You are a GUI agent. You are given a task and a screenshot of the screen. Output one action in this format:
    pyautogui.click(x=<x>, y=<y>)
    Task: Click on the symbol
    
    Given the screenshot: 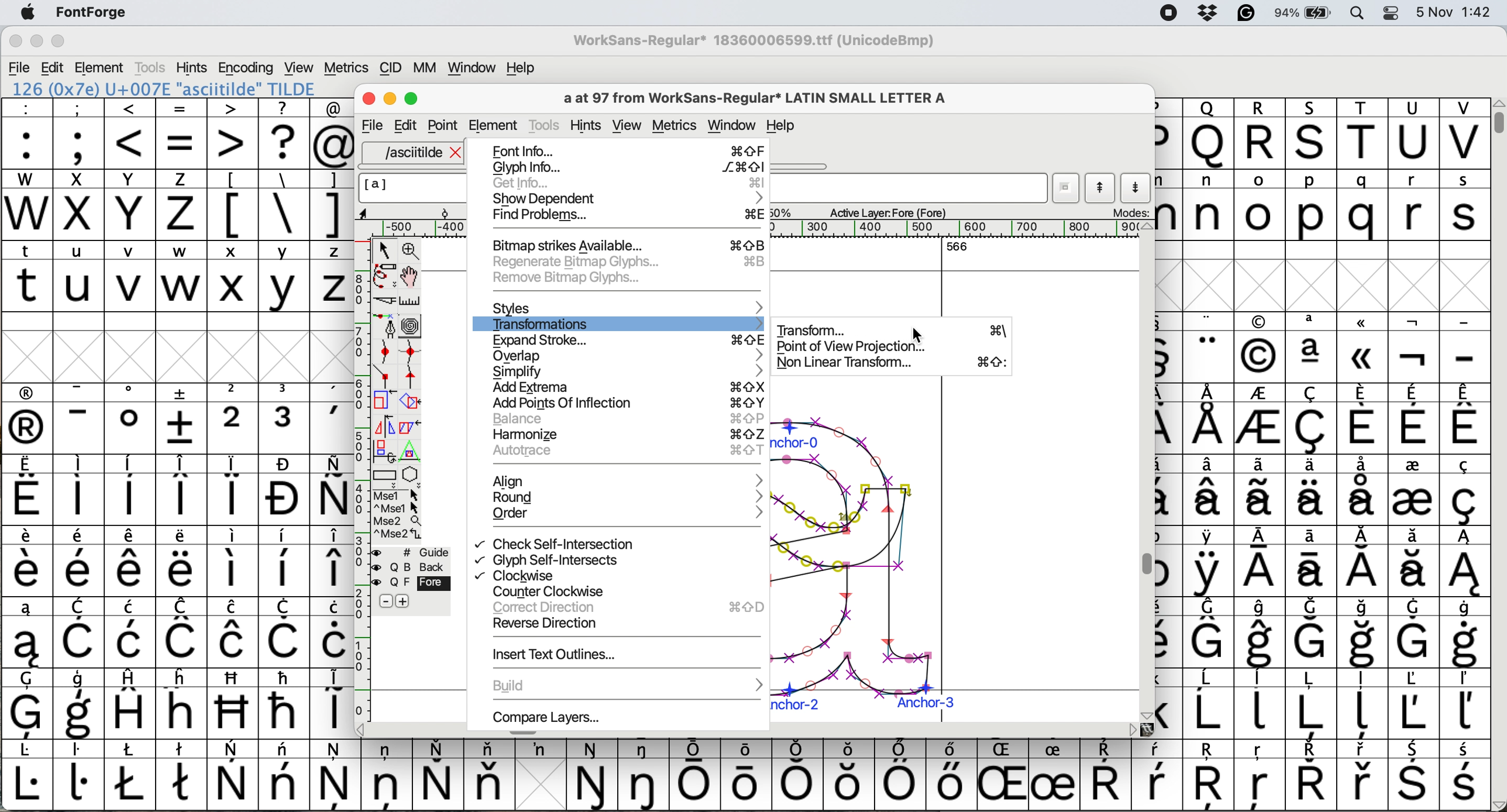 What is the action you would take?
    pyautogui.click(x=234, y=490)
    